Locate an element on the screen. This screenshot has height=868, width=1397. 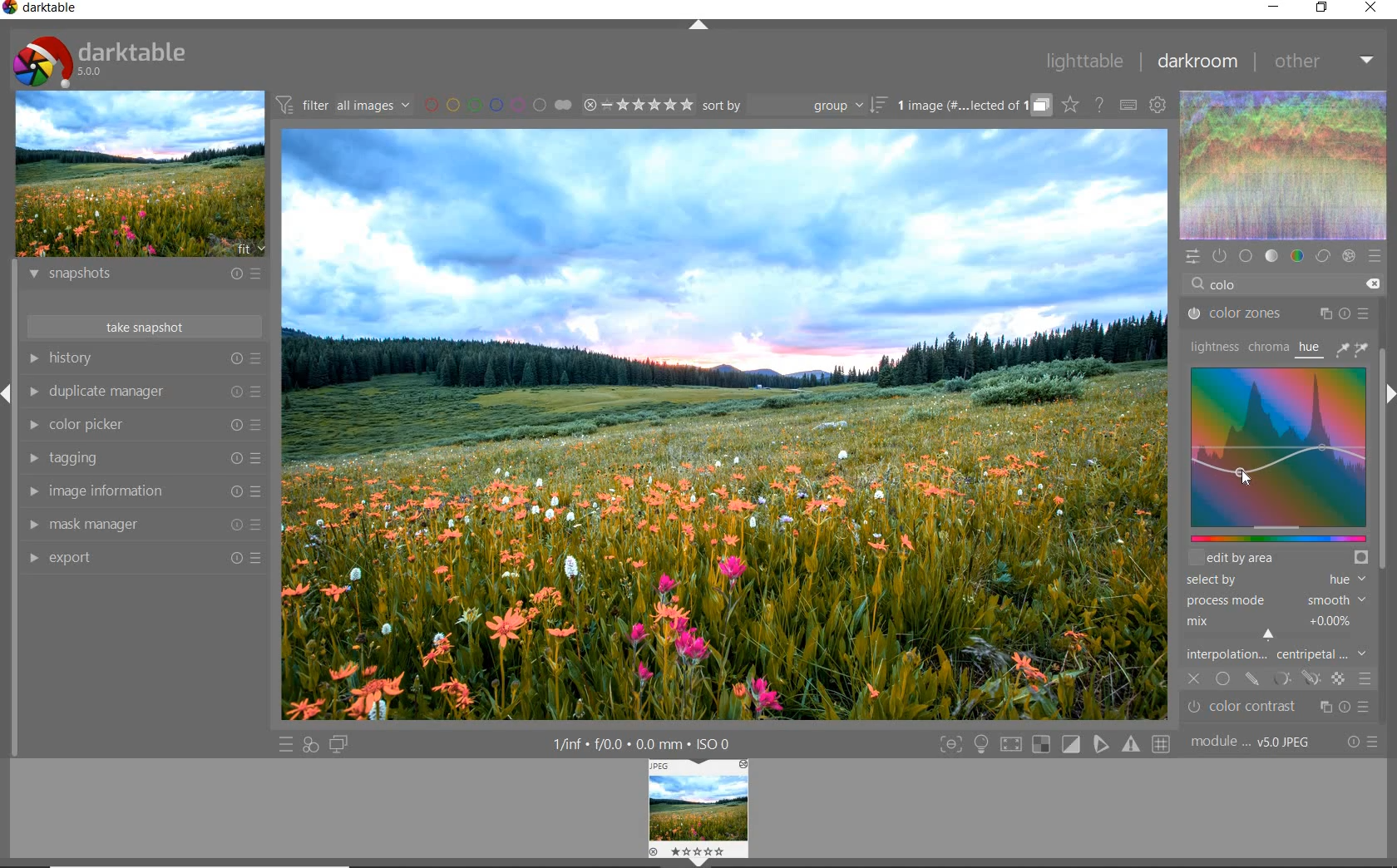
blending options is located at coordinates (1365, 677).